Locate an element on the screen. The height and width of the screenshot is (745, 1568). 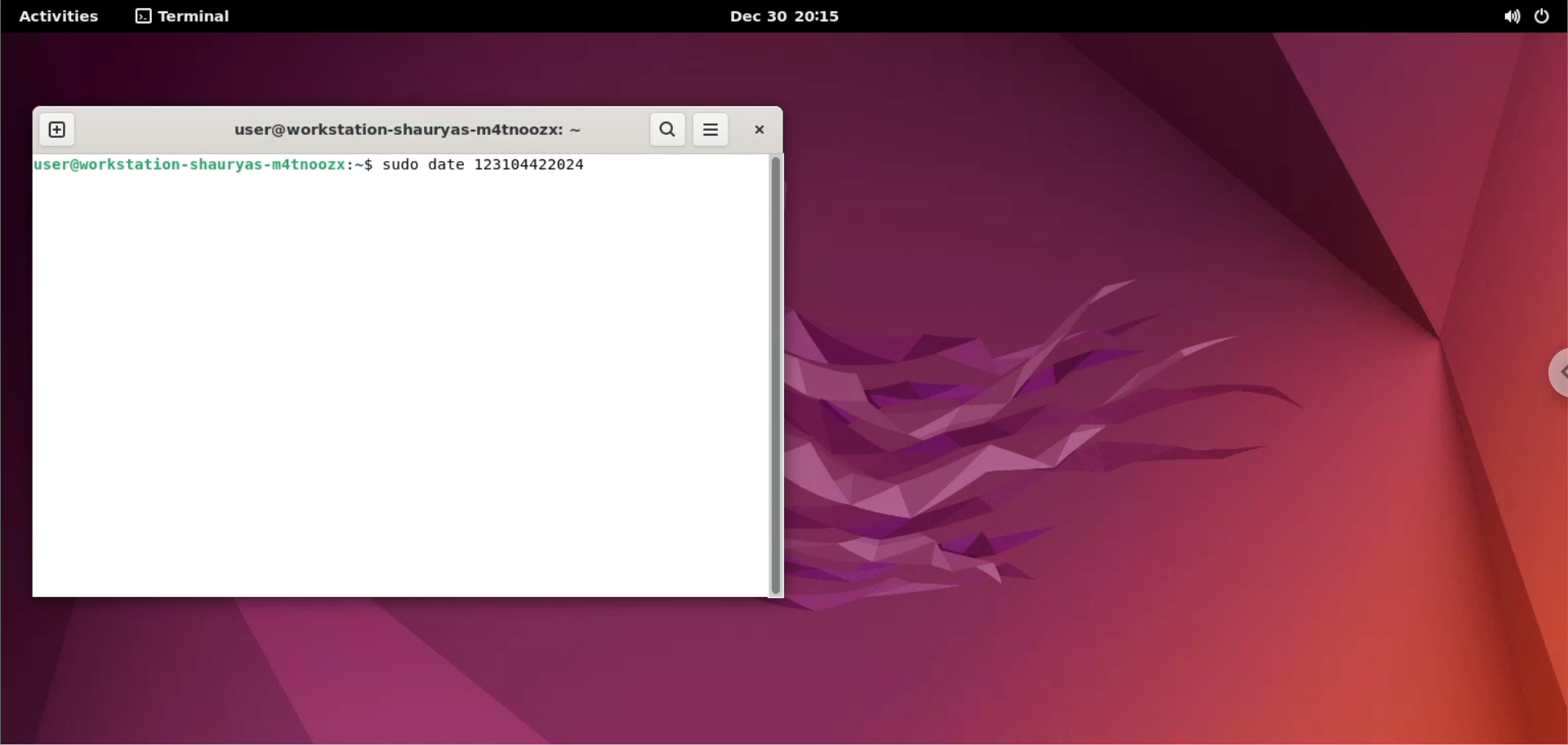
more options is located at coordinates (712, 129).